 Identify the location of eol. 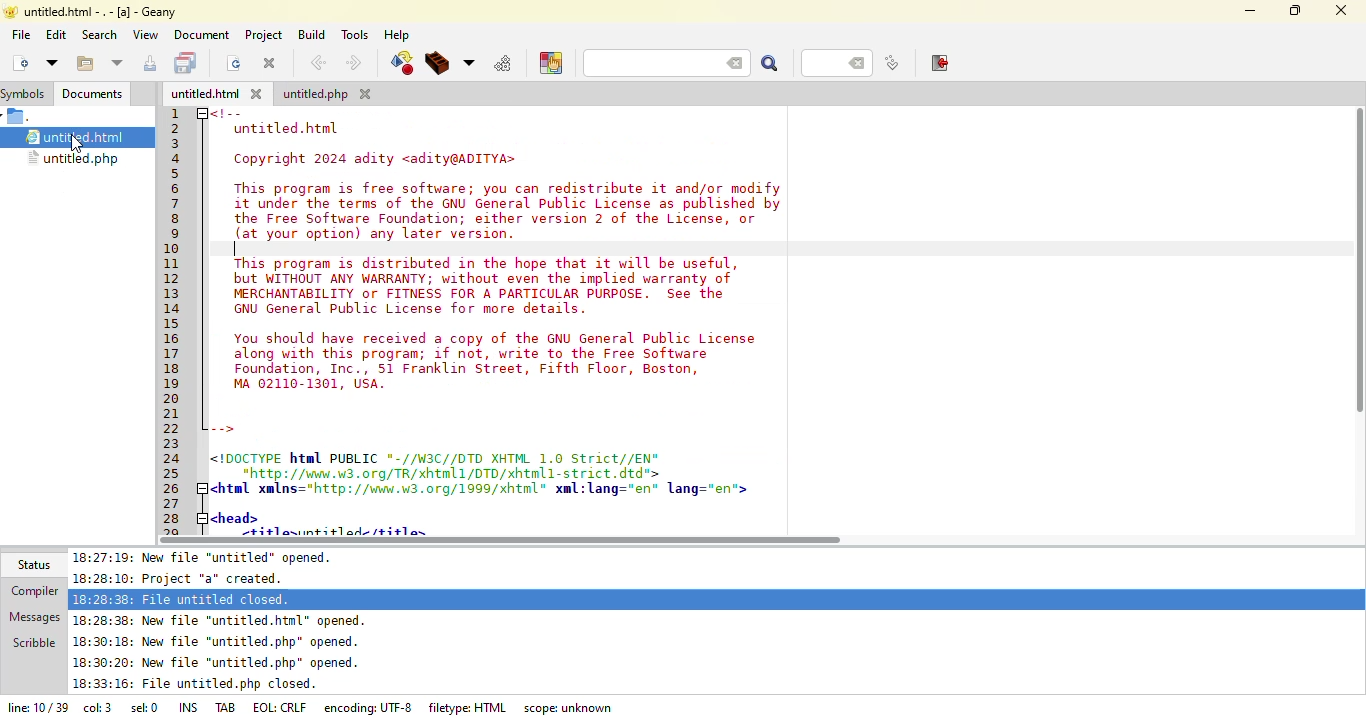
(277, 706).